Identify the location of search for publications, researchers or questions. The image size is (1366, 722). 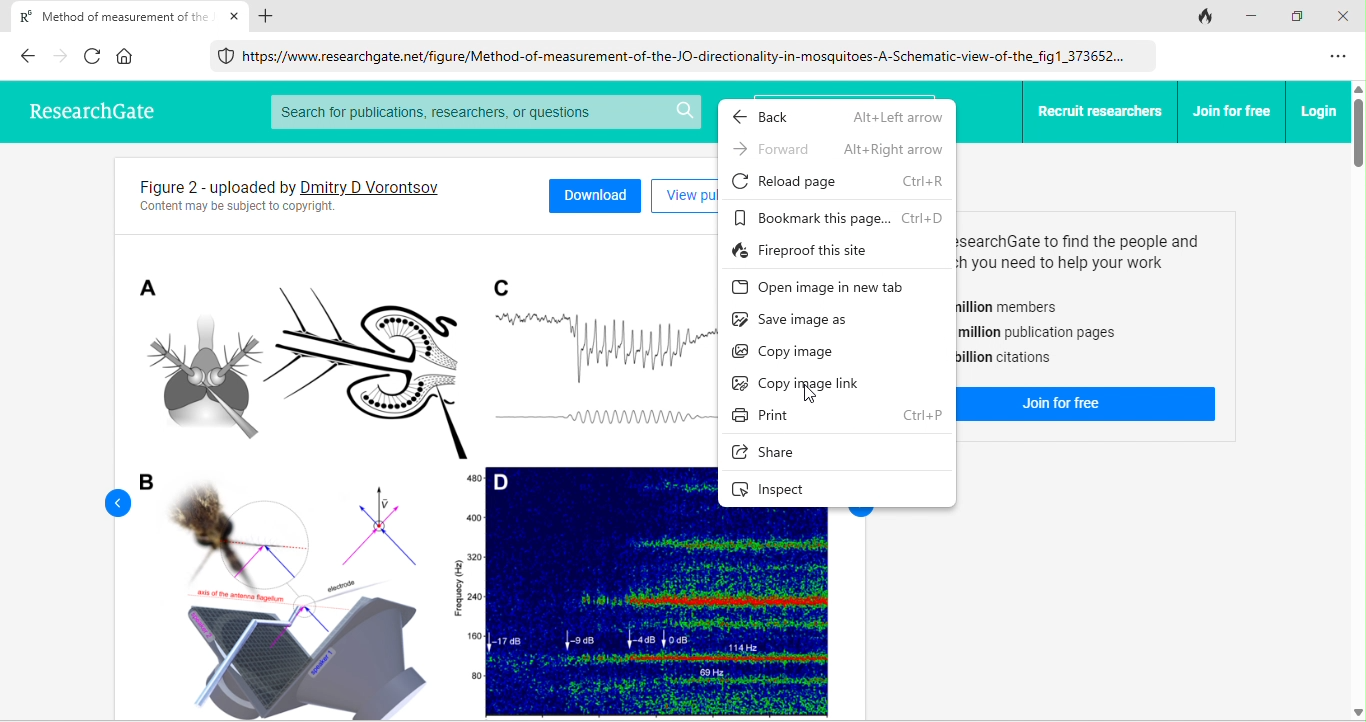
(484, 112).